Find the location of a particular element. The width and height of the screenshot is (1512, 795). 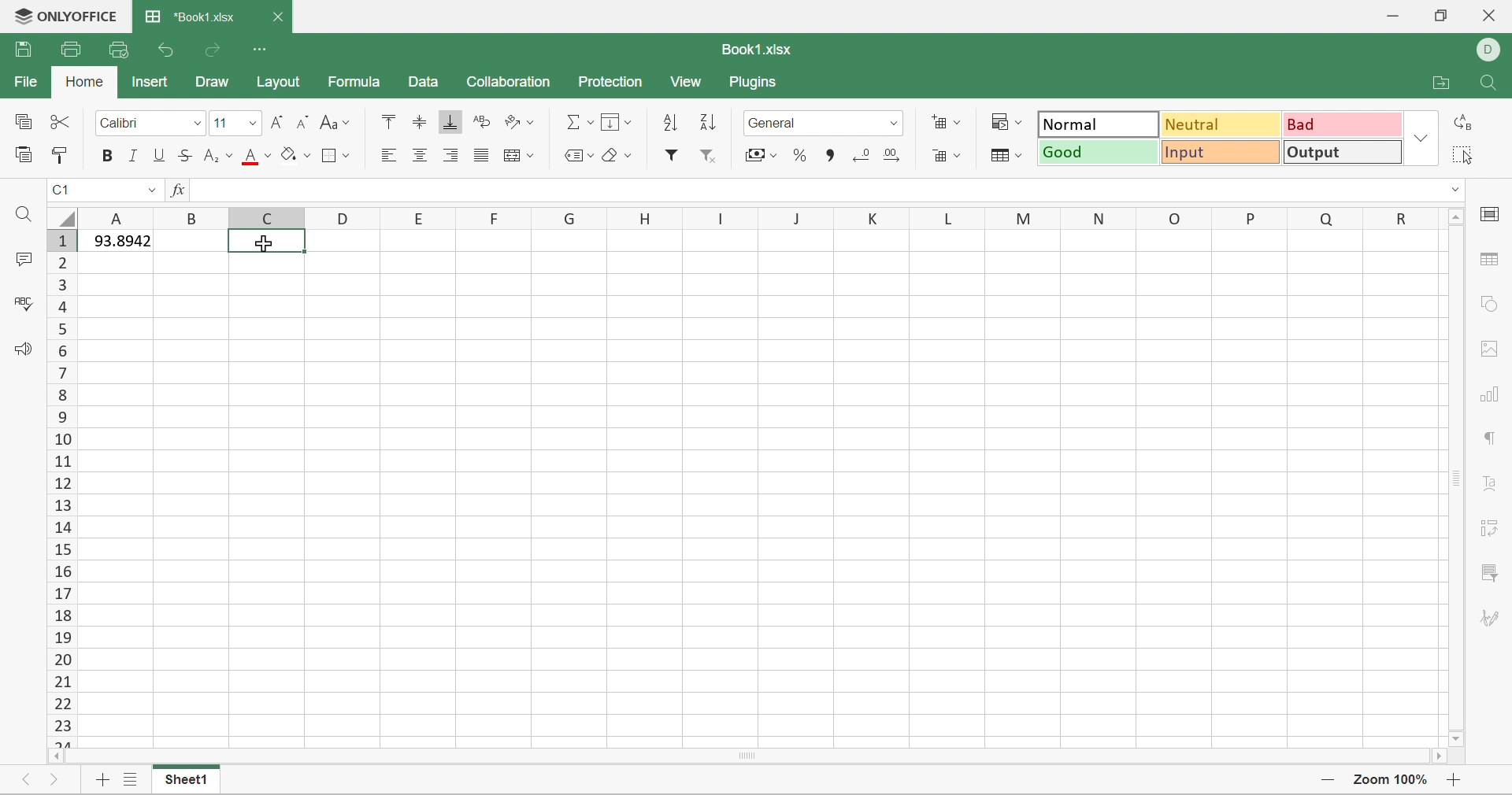

Check Spelling is located at coordinates (24, 305).